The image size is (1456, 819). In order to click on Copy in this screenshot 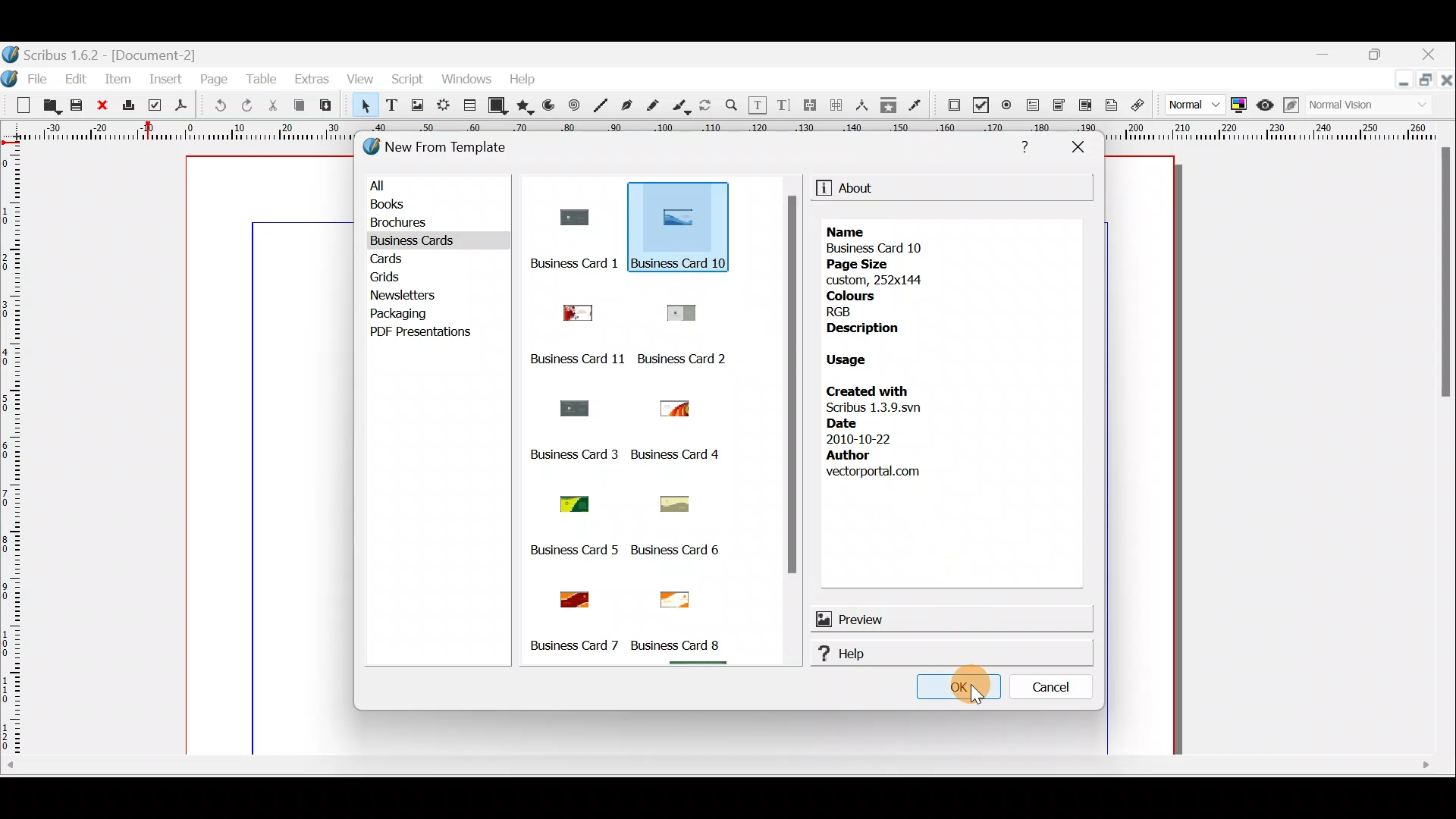, I will do `click(301, 108)`.